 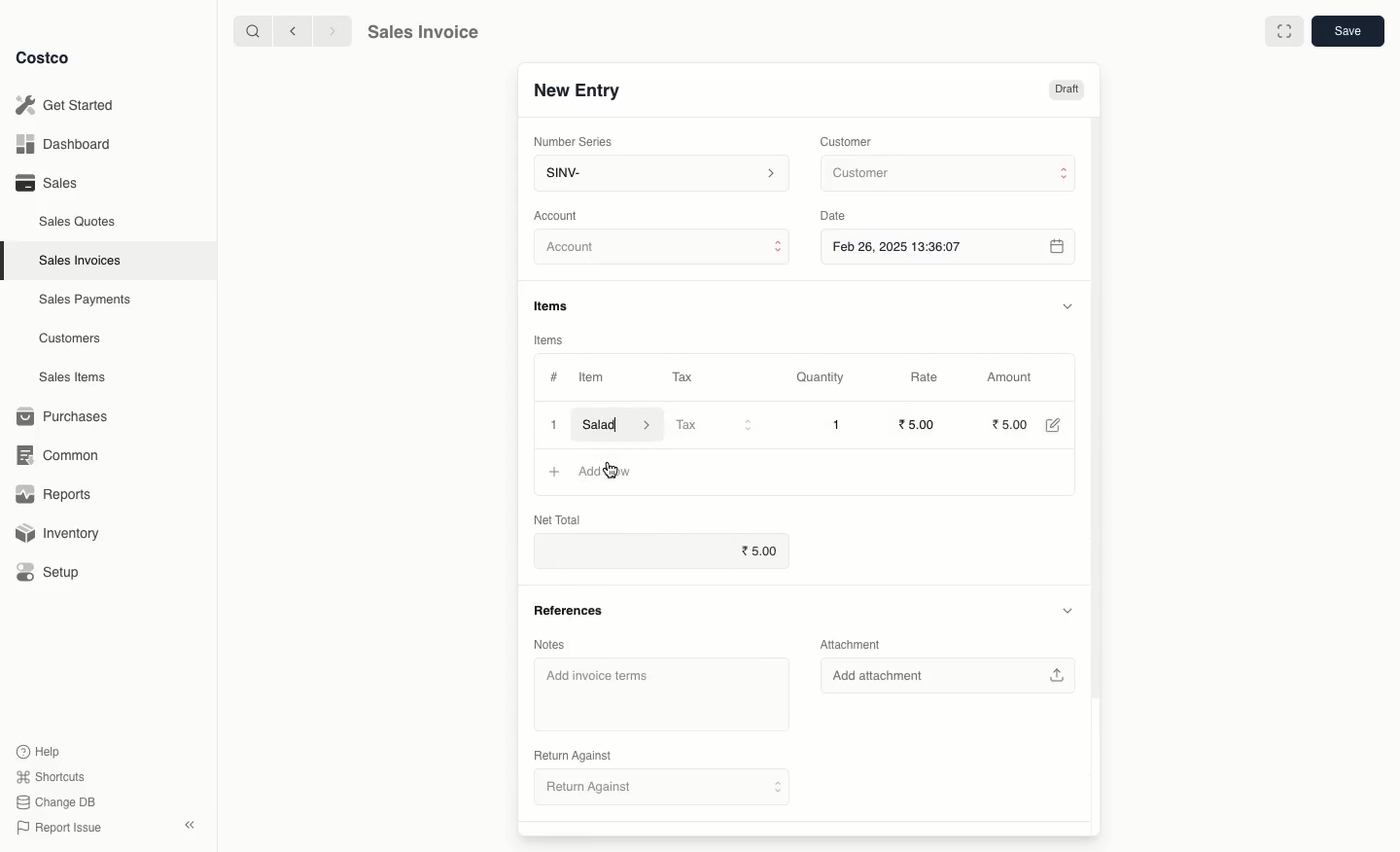 I want to click on Back, so click(x=291, y=31).